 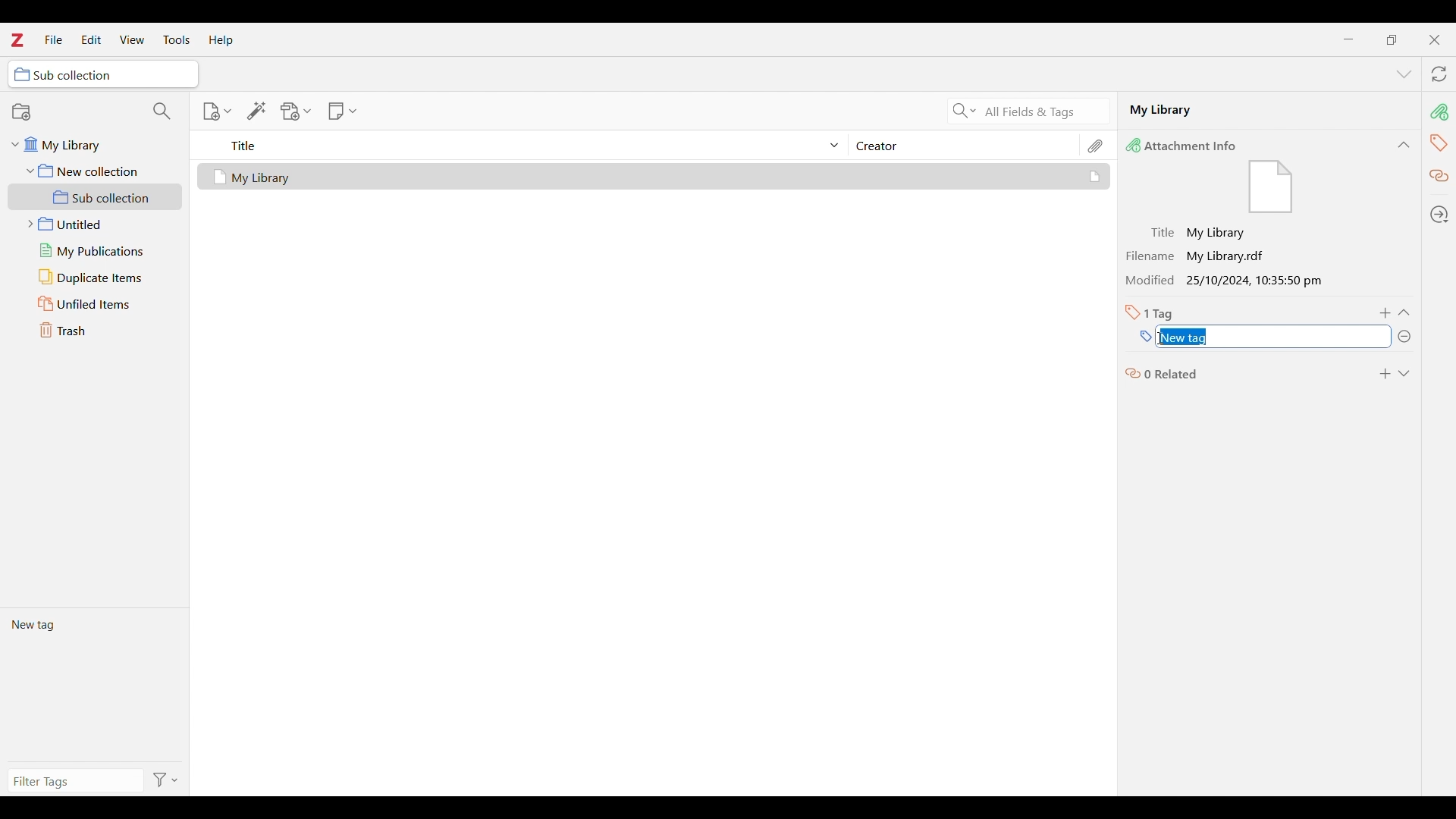 What do you see at coordinates (95, 303) in the screenshot?
I see `Unfiled items folder` at bounding box center [95, 303].